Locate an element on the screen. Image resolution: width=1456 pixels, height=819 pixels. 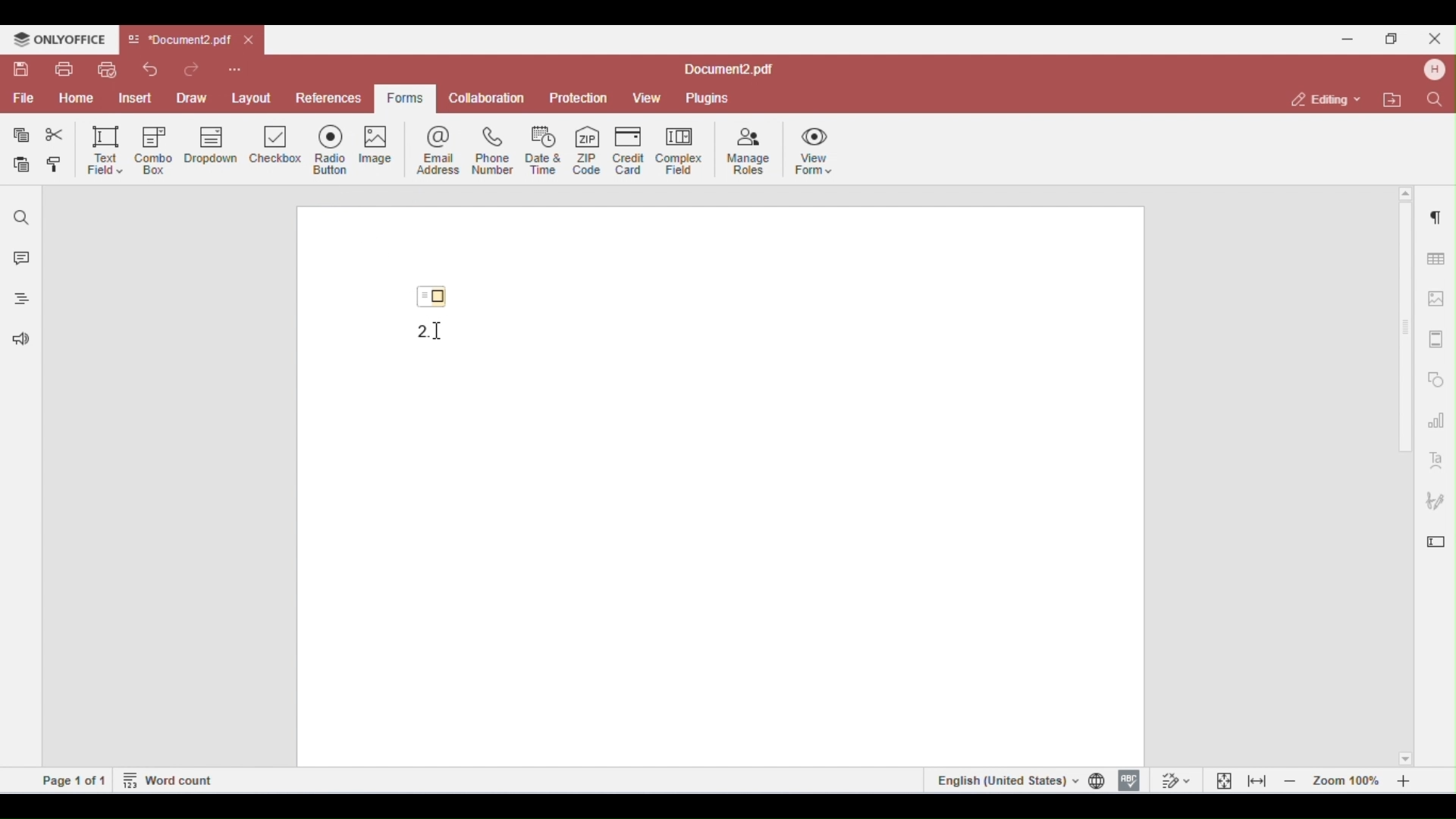
insert is located at coordinates (138, 98).